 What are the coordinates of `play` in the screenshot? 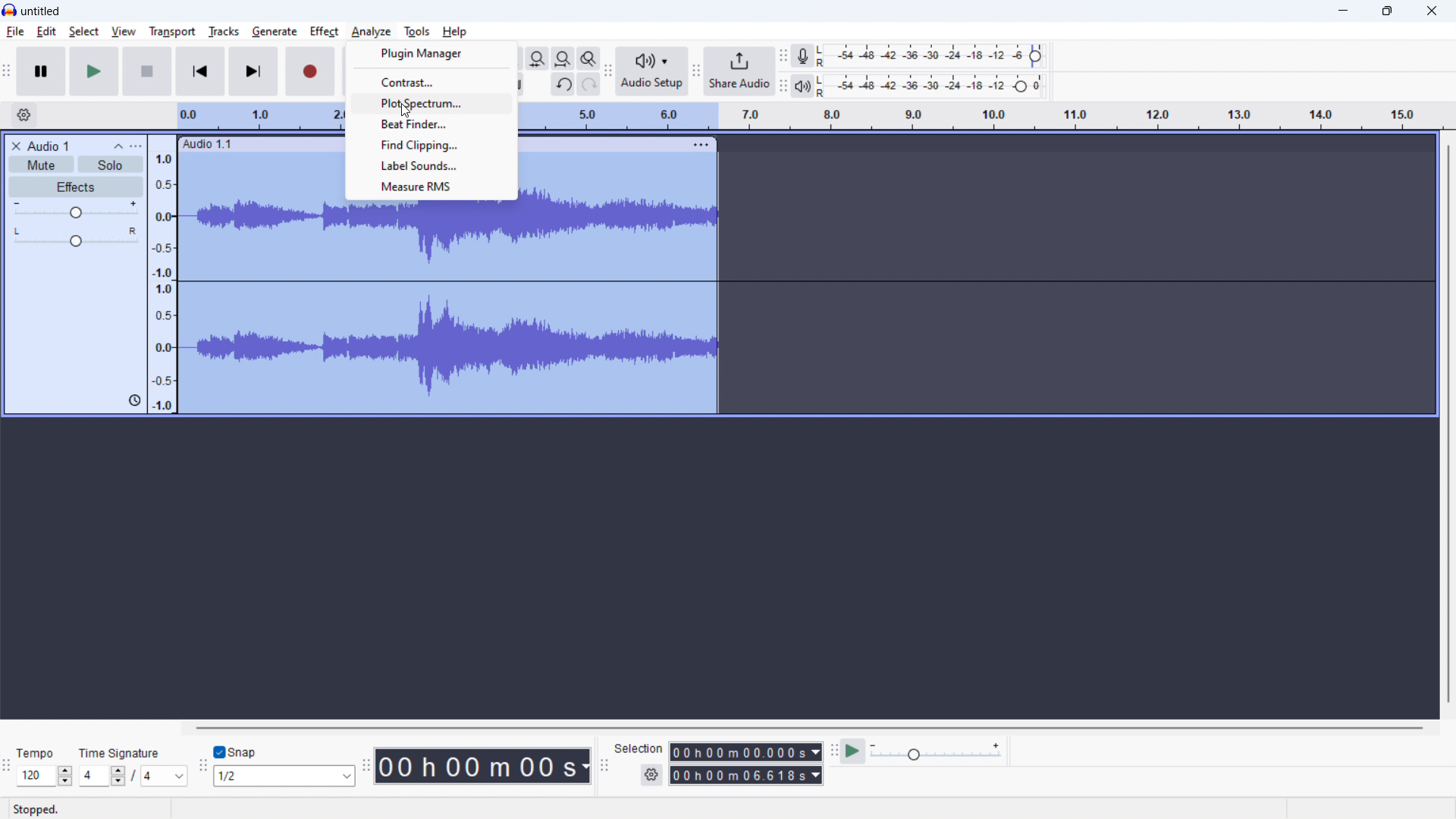 It's located at (95, 71).